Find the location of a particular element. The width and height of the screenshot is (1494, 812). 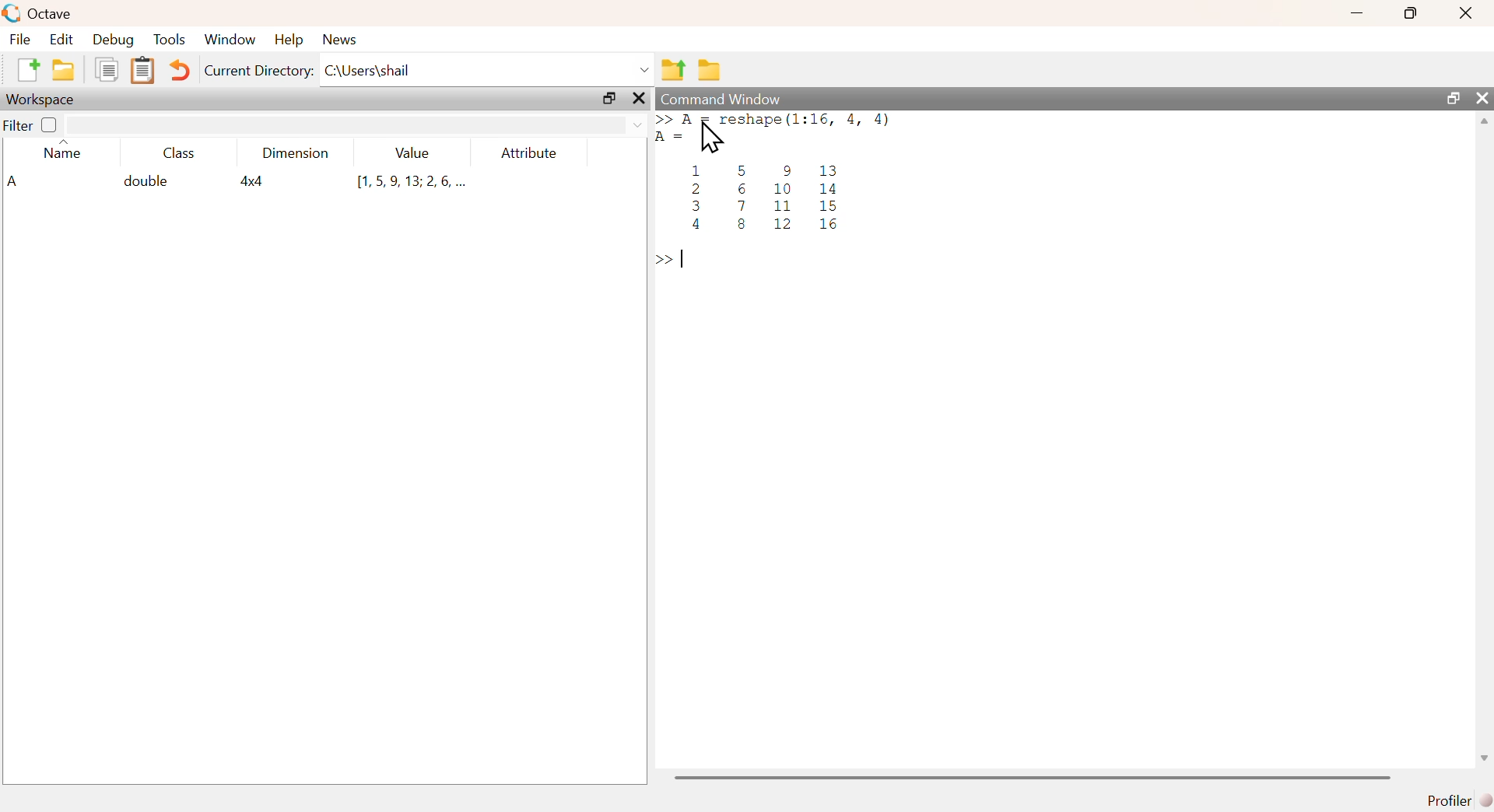

open an existing file in editor is located at coordinates (65, 70).